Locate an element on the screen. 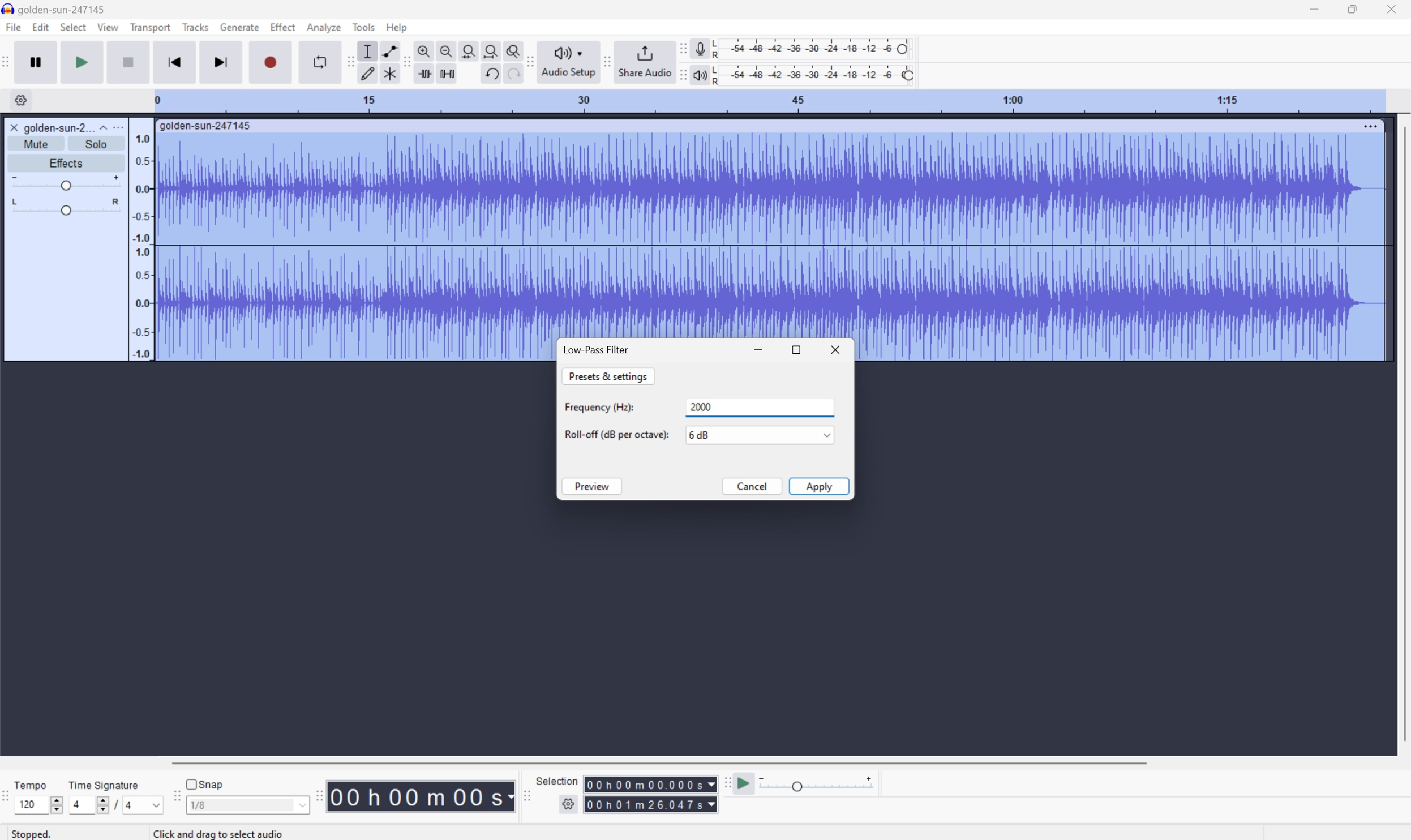  Trim audio outside selection is located at coordinates (427, 74).